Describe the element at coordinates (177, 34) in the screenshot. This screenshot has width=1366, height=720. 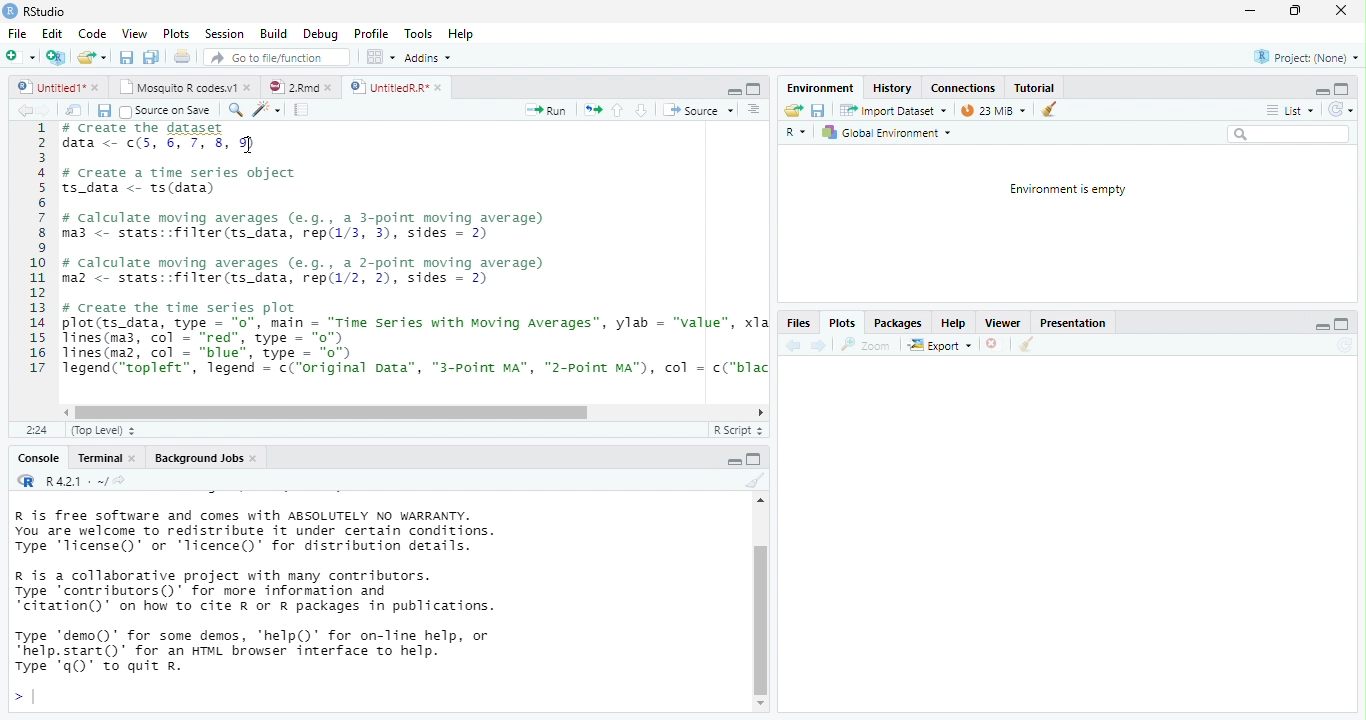
I see `Plots` at that location.